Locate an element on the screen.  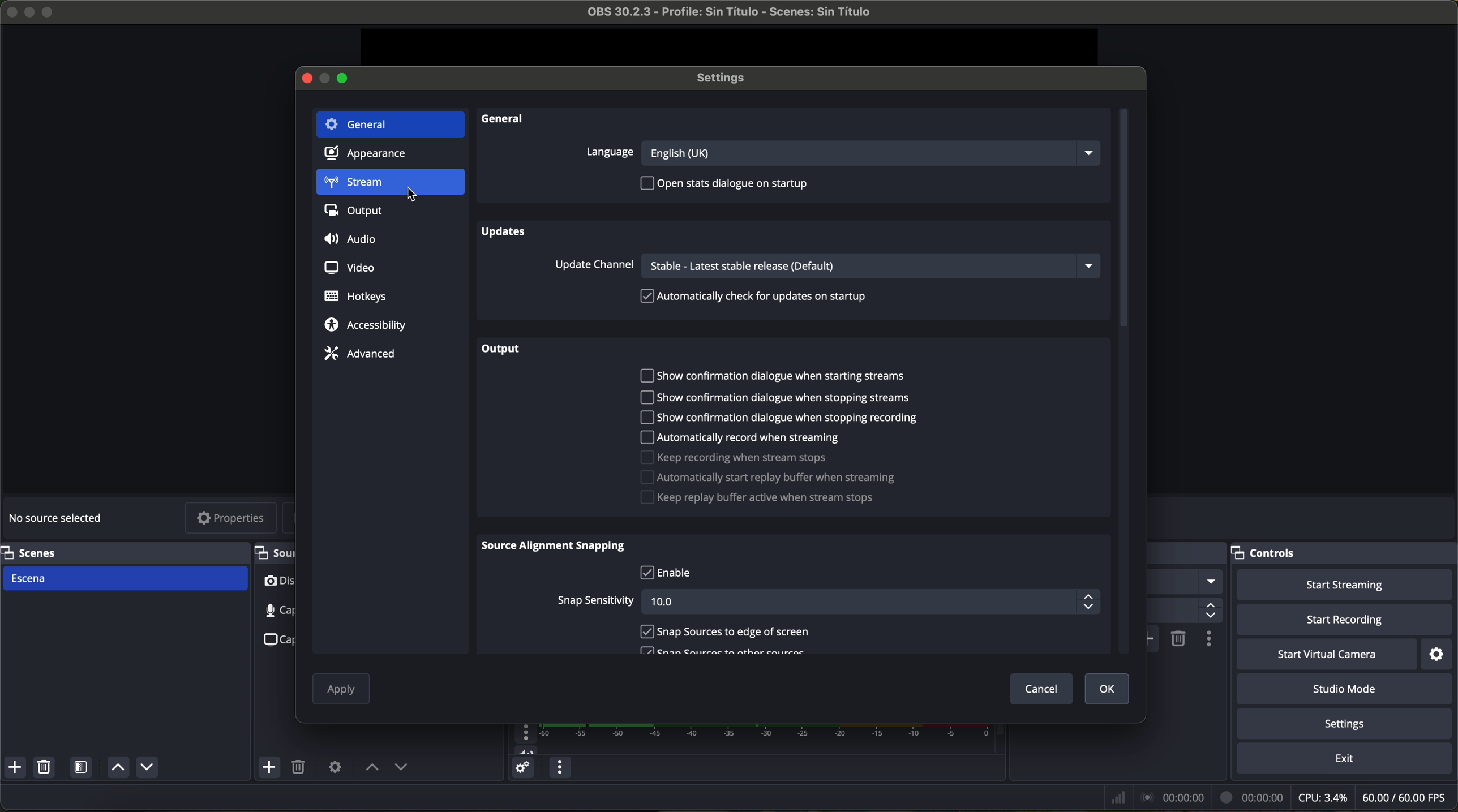
open source properties is located at coordinates (335, 766).